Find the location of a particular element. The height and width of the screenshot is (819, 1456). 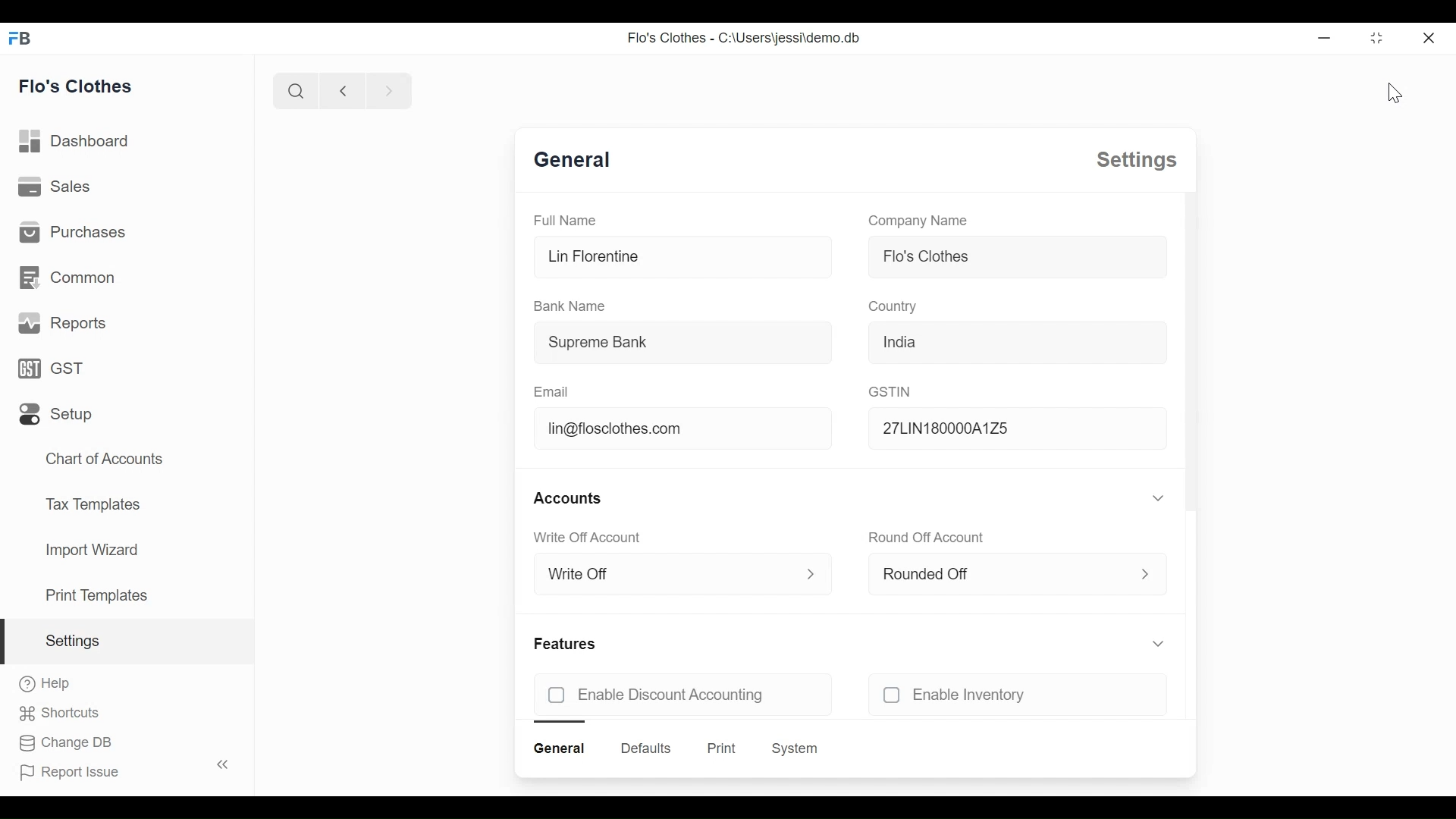

print templates is located at coordinates (97, 595).